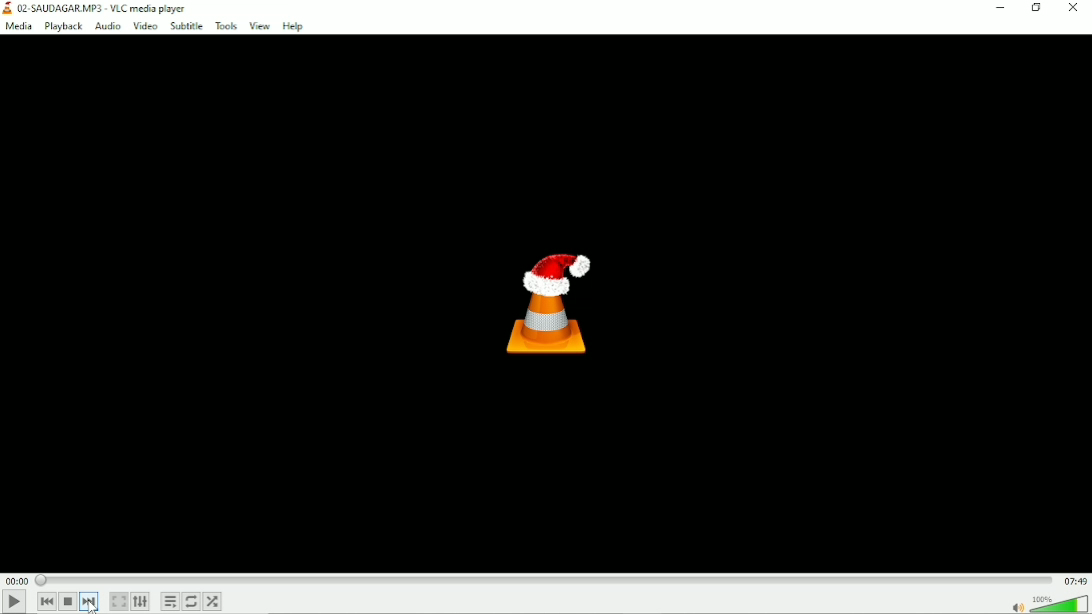  What do you see at coordinates (543, 579) in the screenshot?
I see `Play duration` at bounding box center [543, 579].